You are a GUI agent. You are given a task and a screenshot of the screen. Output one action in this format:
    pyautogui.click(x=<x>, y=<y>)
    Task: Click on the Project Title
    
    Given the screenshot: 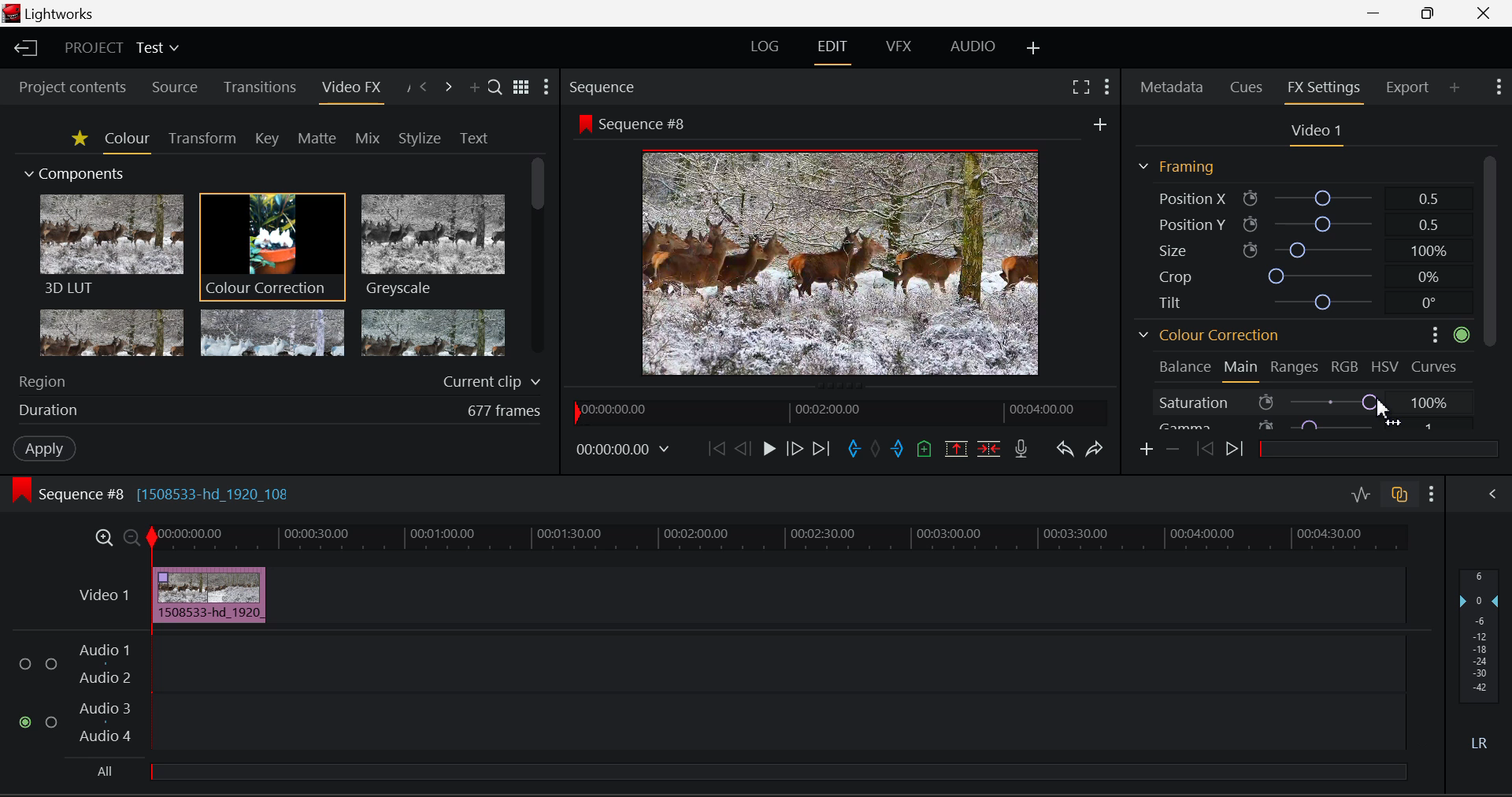 What is the action you would take?
    pyautogui.click(x=120, y=48)
    